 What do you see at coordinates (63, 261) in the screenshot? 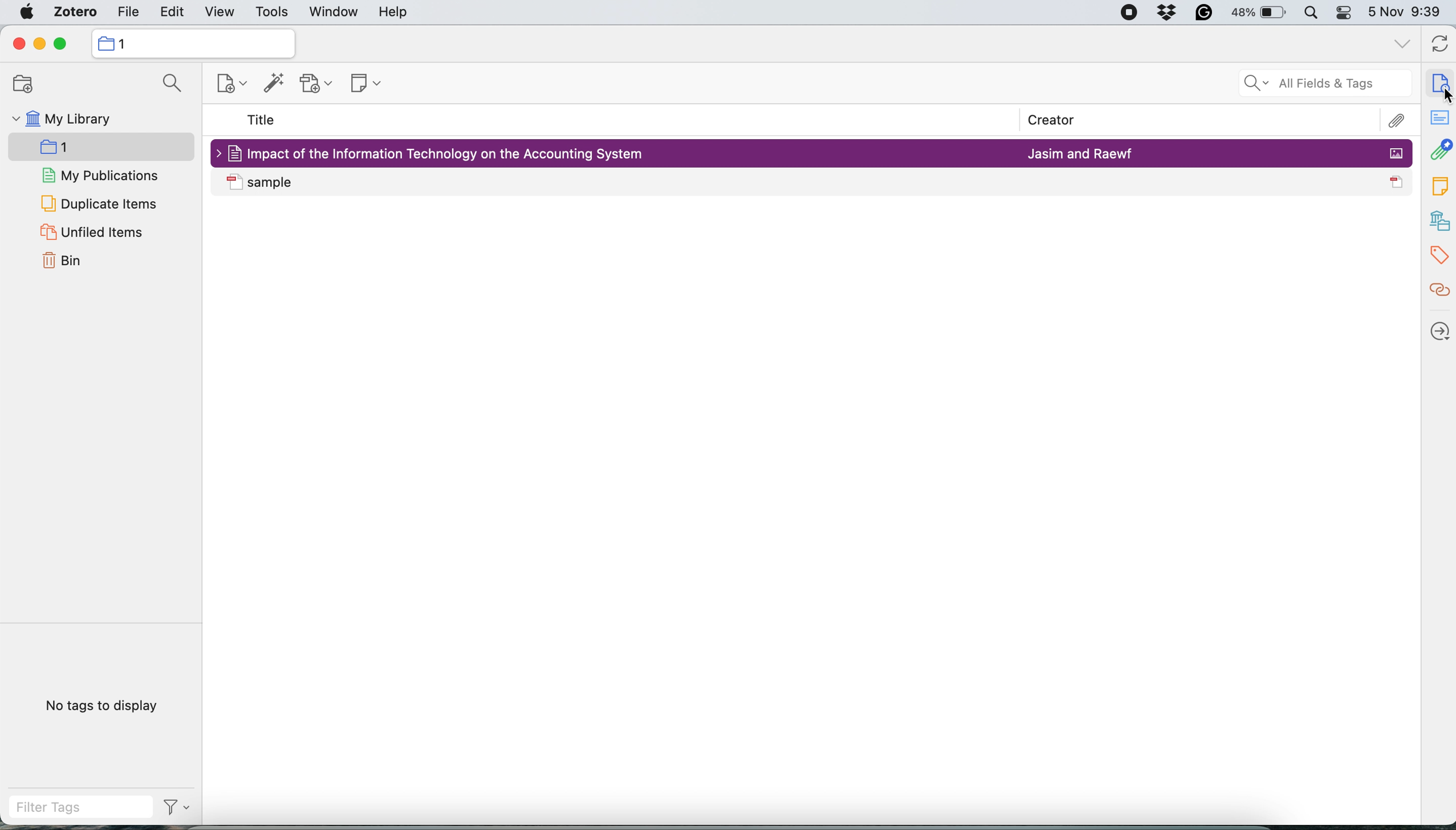
I see `bin` at bounding box center [63, 261].